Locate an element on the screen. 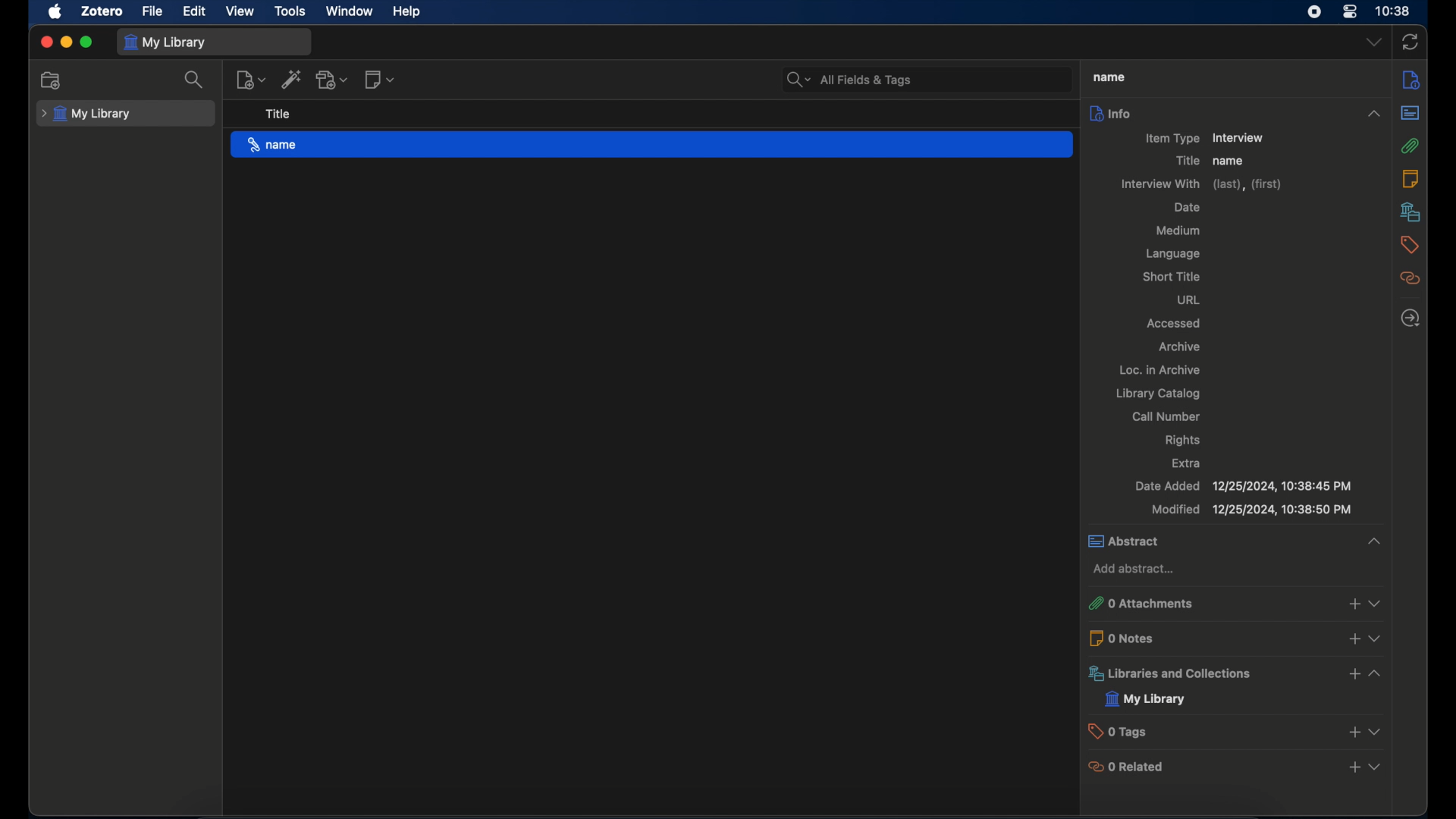 This screenshot has height=819, width=1456. edit is located at coordinates (196, 11).